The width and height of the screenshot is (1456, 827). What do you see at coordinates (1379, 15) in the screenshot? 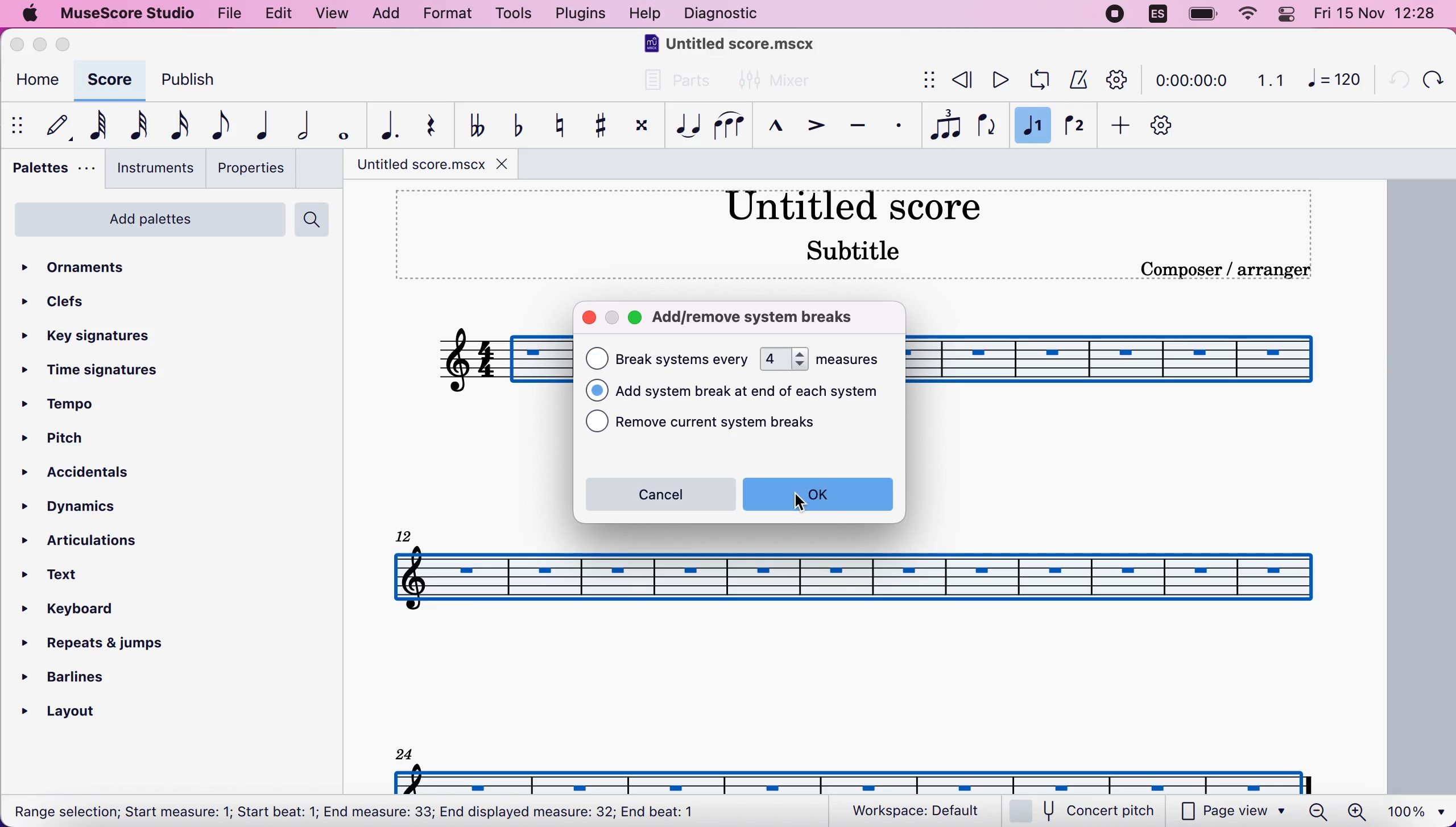
I see `time and date` at bounding box center [1379, 15].